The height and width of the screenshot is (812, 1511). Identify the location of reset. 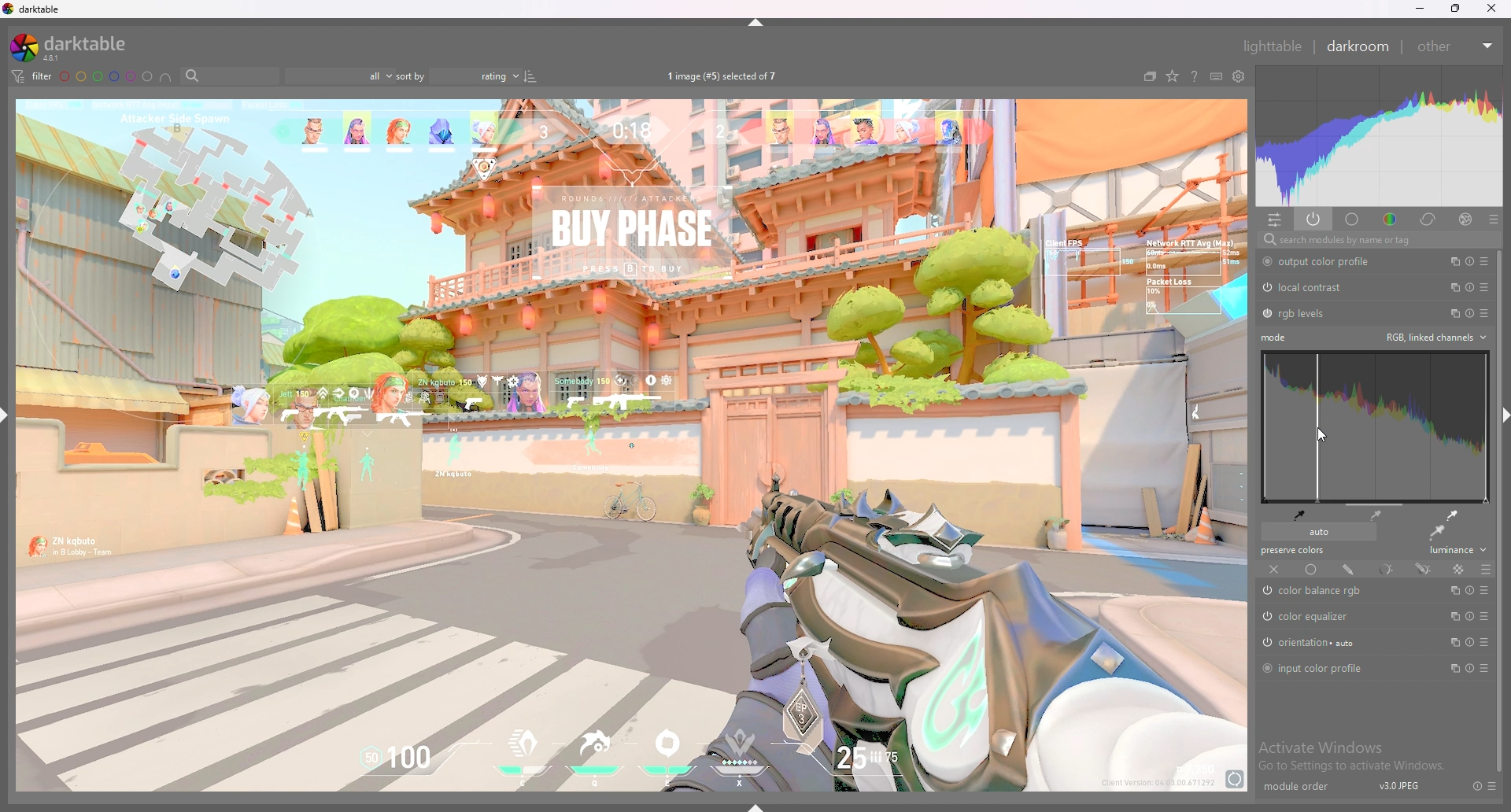
(1469, 642).